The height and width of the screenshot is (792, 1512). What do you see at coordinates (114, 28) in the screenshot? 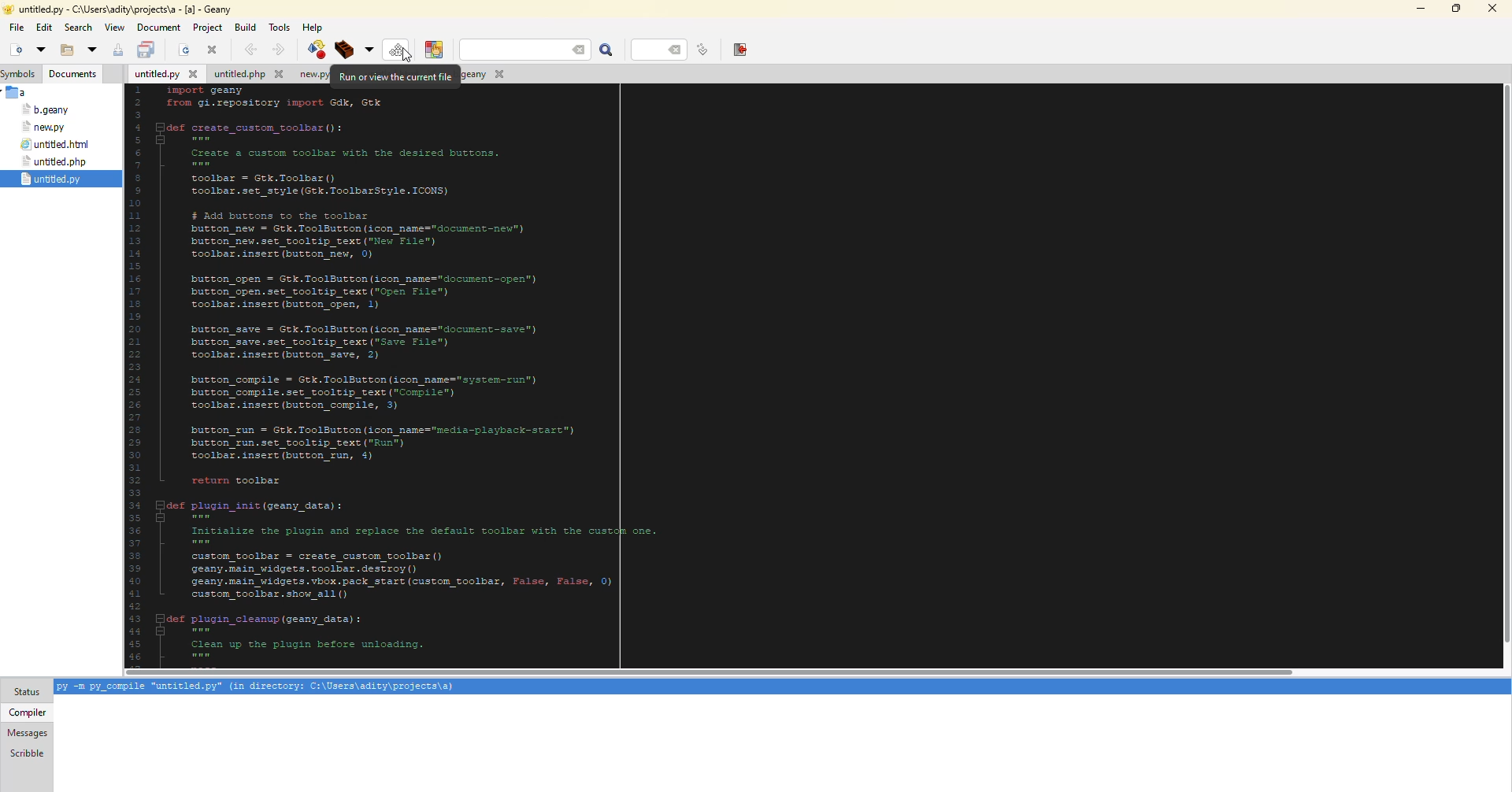
I see `view` at bounding box center [114, 28].